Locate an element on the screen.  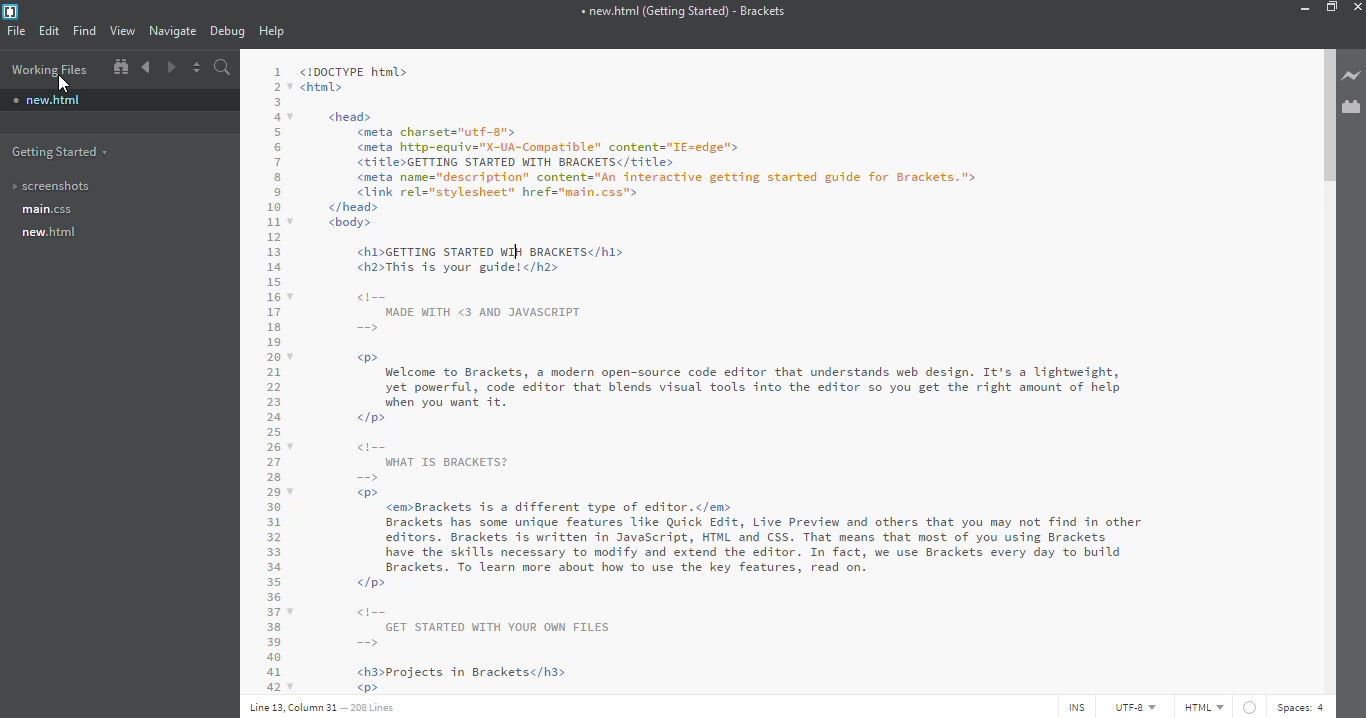
new is located at coordinates (52, 233).